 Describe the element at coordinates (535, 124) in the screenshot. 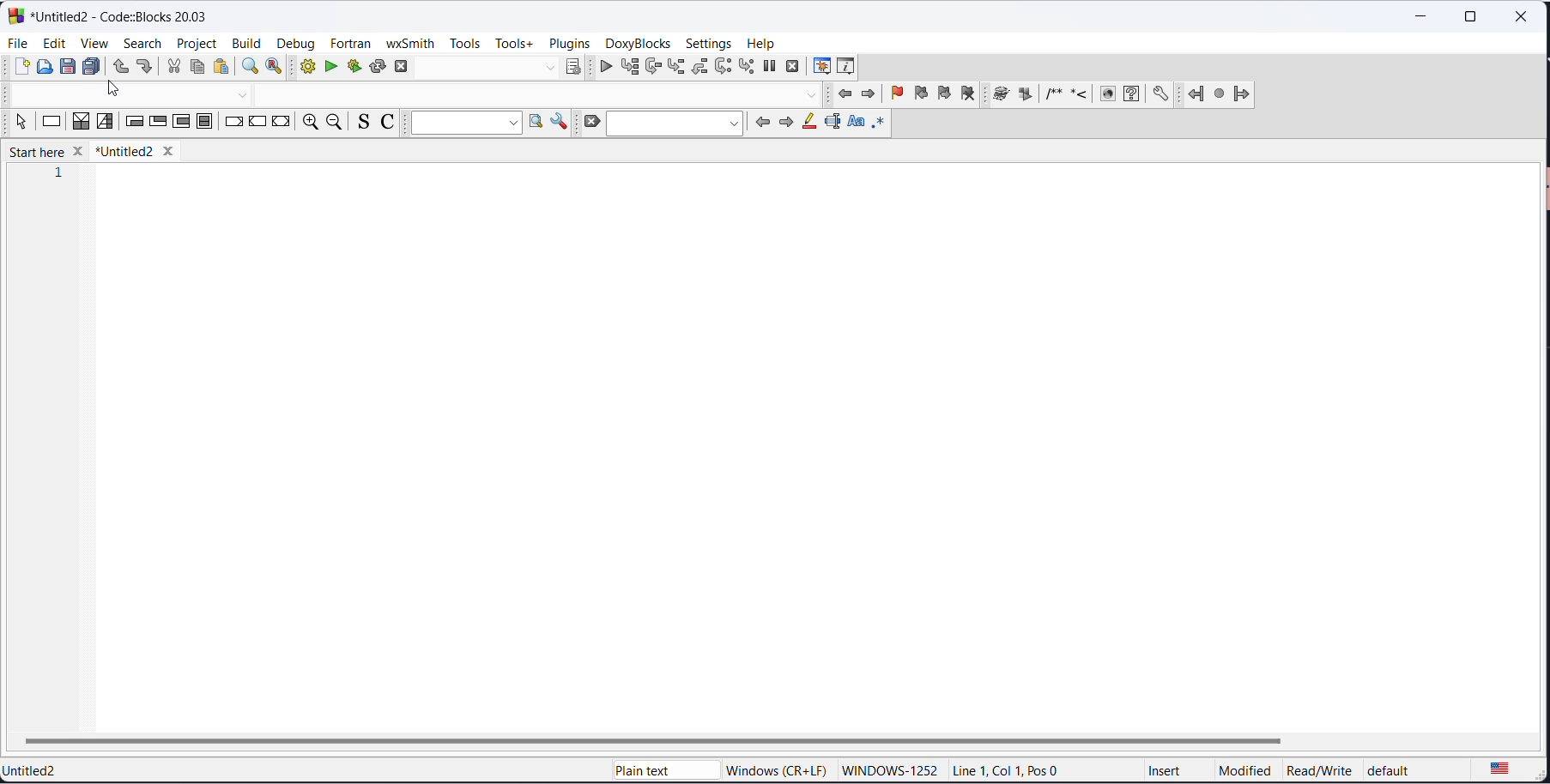

I see `run search` at that location.